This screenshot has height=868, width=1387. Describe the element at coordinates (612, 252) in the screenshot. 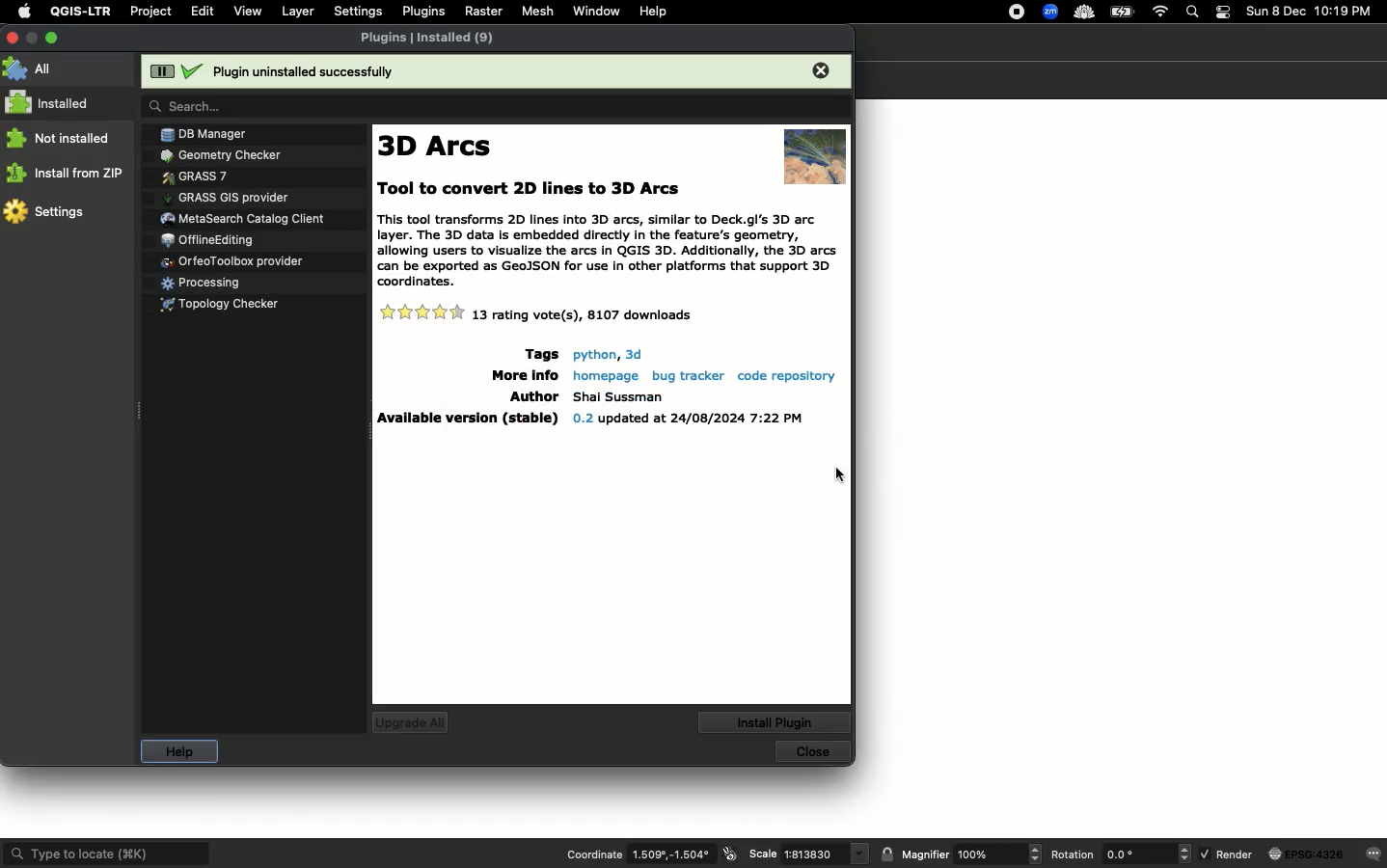

I see `Text` at that location.